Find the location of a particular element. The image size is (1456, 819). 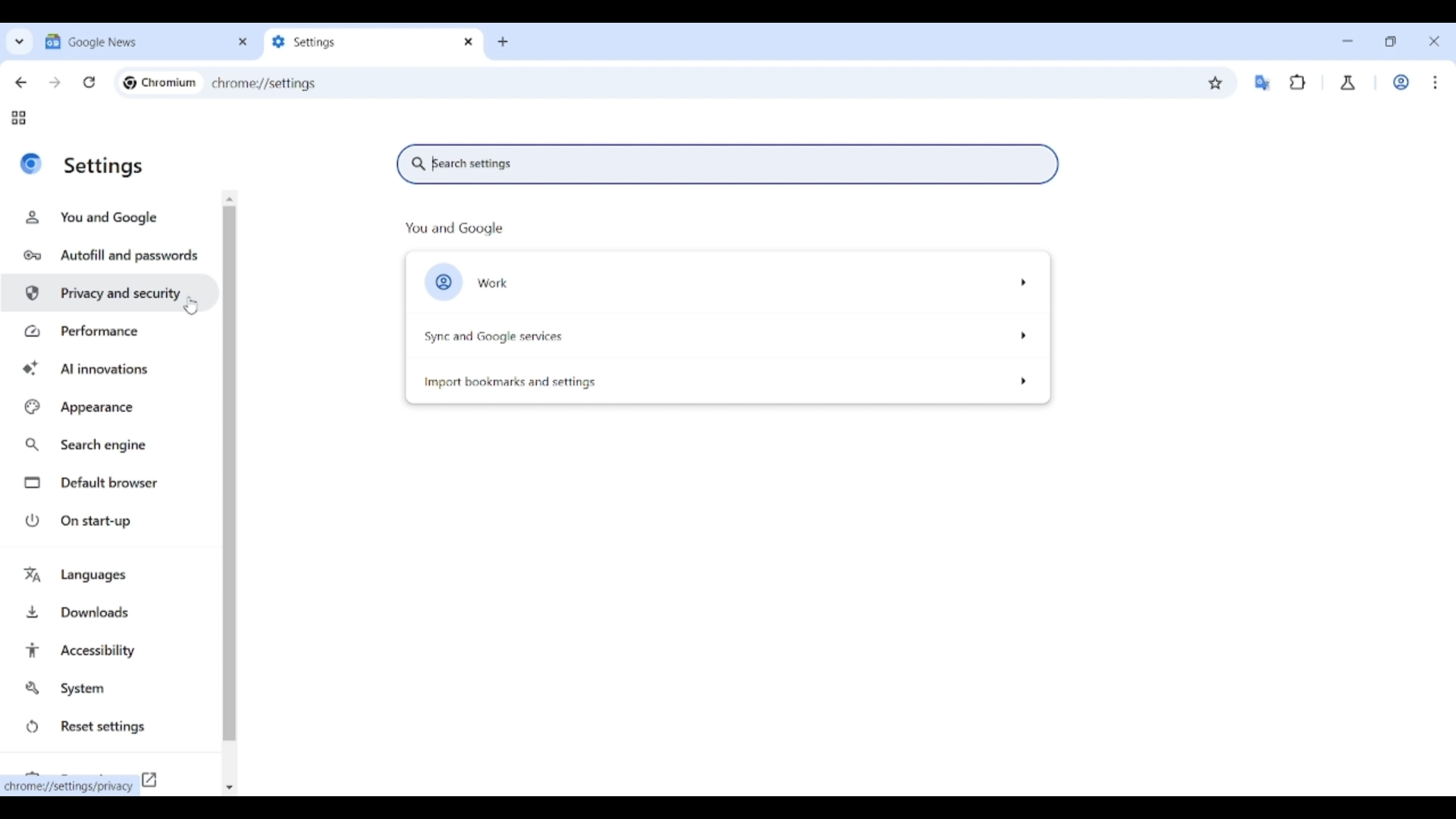

Tab 1 is located at coordinates (135, 41).